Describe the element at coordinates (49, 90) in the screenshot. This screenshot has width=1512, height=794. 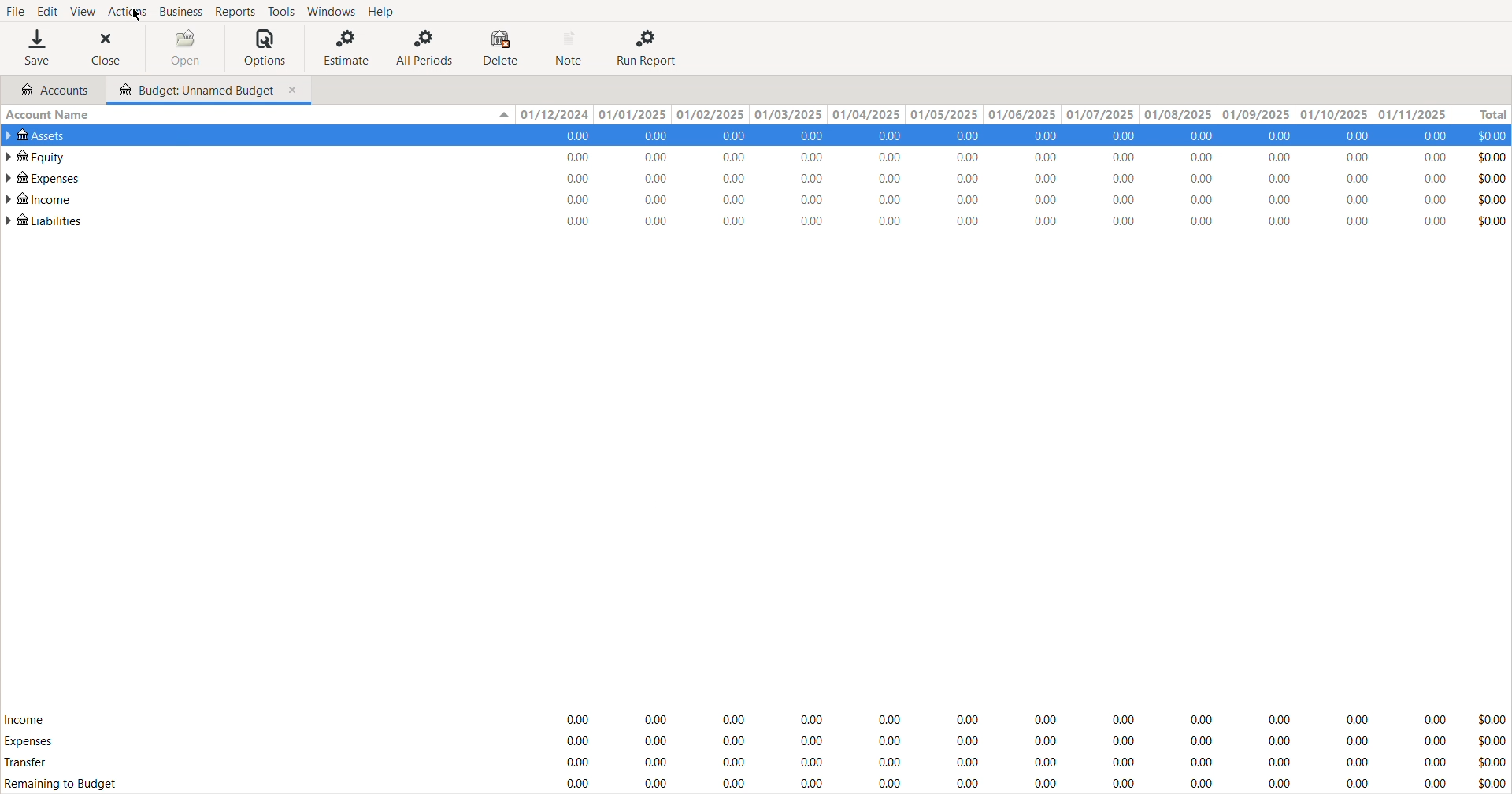
I see `Accounts` at that location.